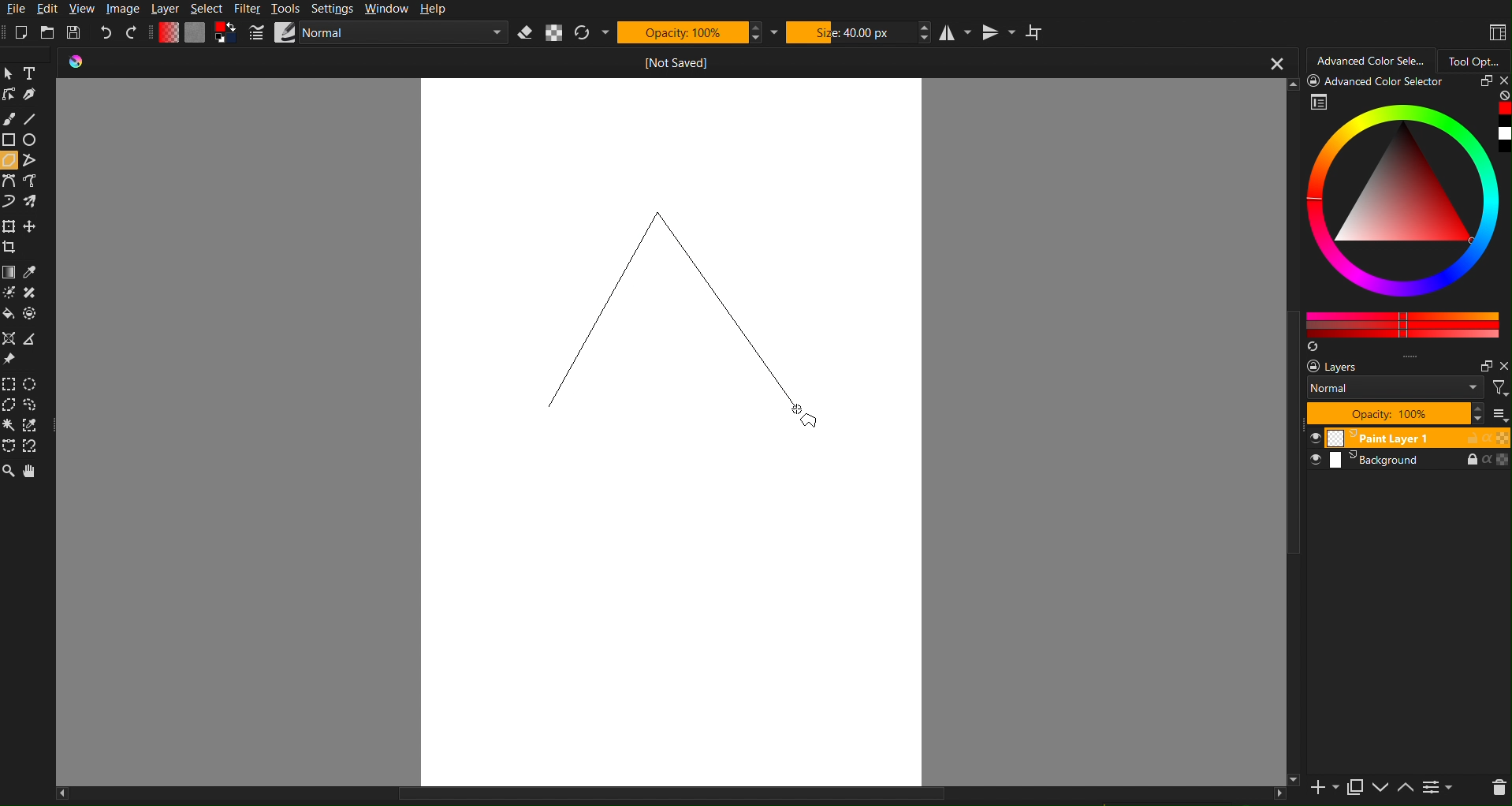 The width and height of the screenshot is (1512, 806). What do you see at coordinates (1409, 789) in the screenshot?
I see `move layer up` at bounding box center [1409, 789].